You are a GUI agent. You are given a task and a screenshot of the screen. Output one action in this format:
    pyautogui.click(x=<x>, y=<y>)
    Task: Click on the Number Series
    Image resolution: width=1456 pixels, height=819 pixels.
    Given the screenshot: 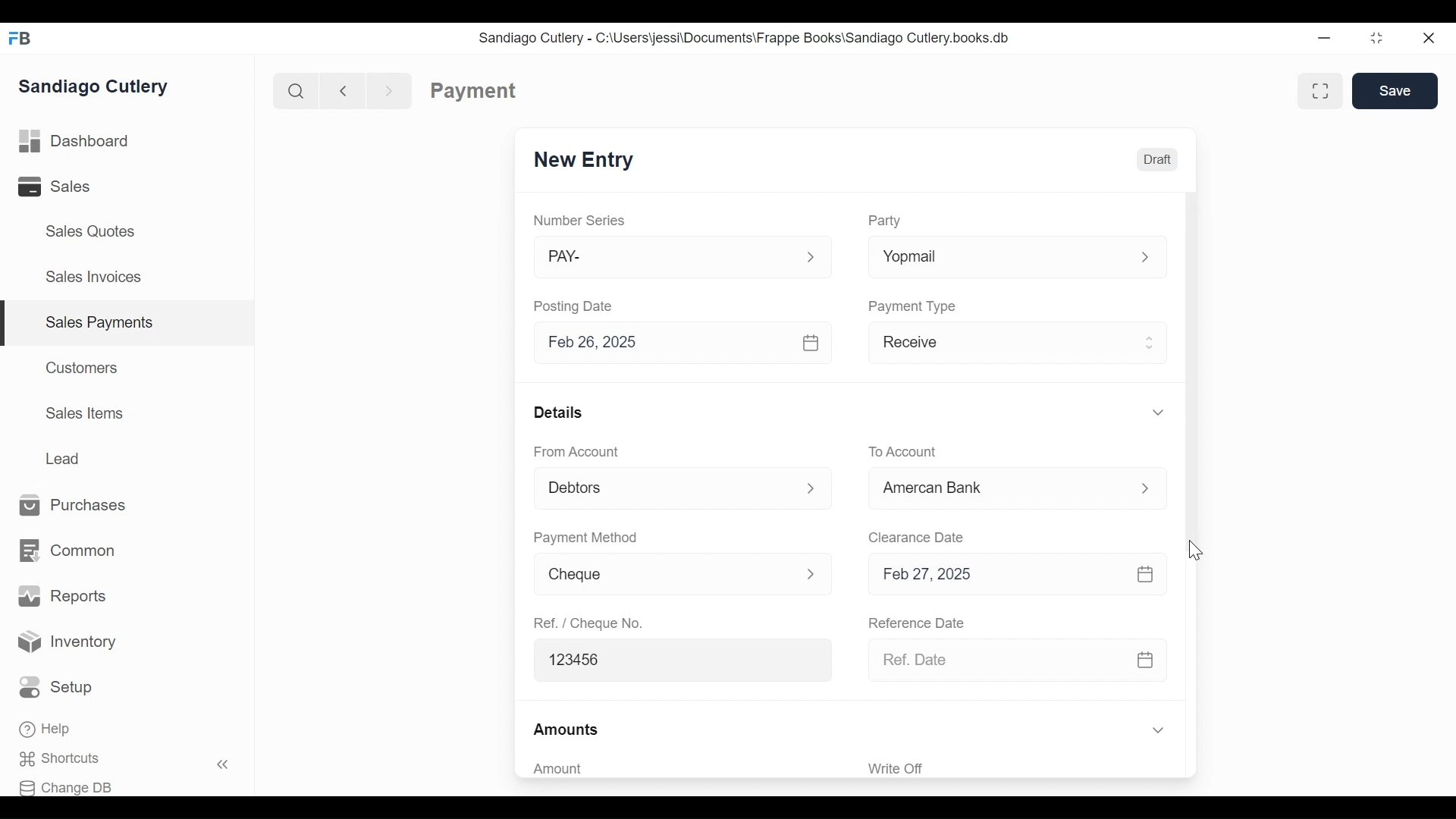 What is the action you would take?
    pyautogui.click(x=581, y=221)
    